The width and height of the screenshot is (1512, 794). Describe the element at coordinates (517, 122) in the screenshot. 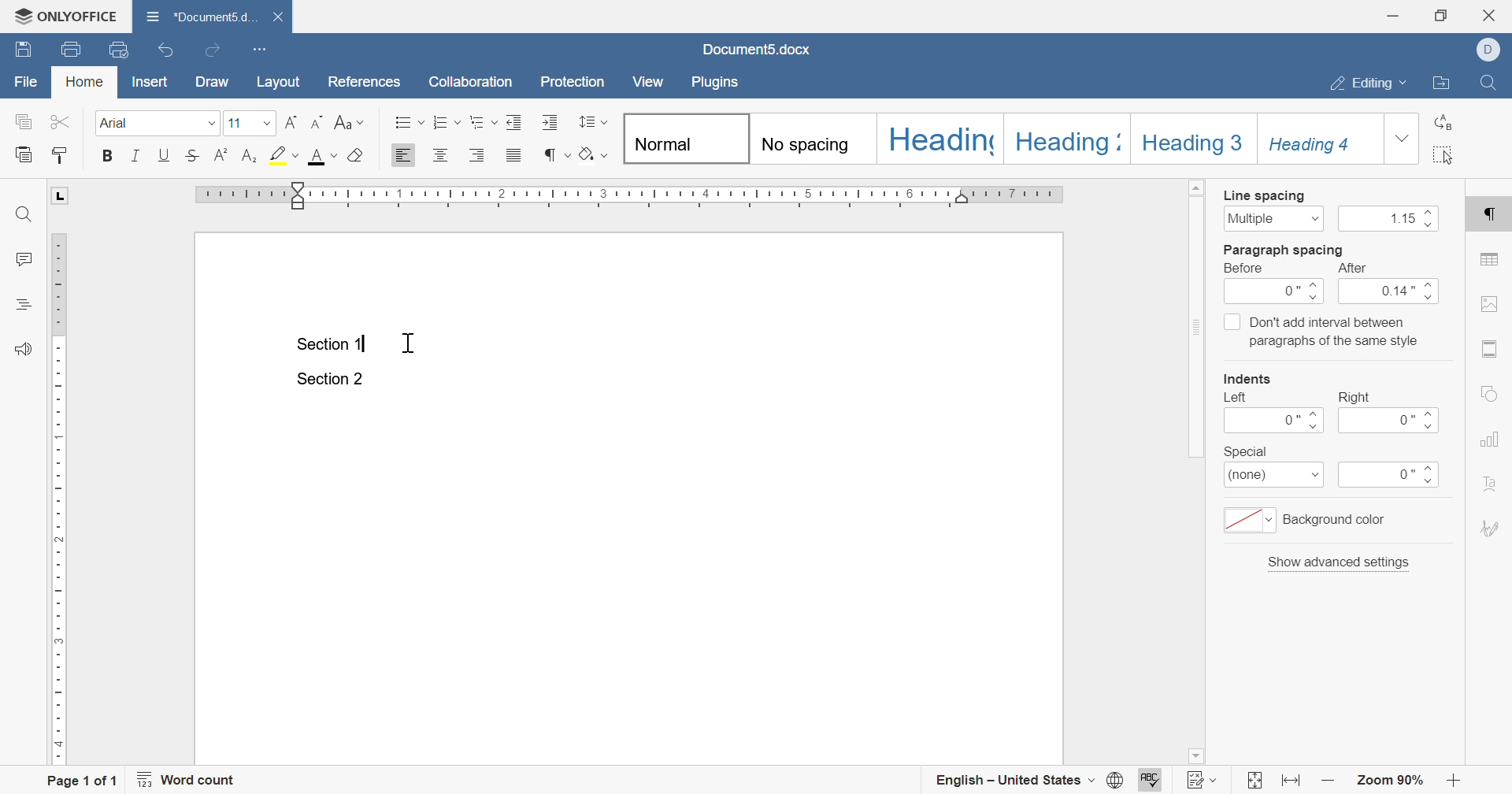

I see `Decrease indent` at that location.